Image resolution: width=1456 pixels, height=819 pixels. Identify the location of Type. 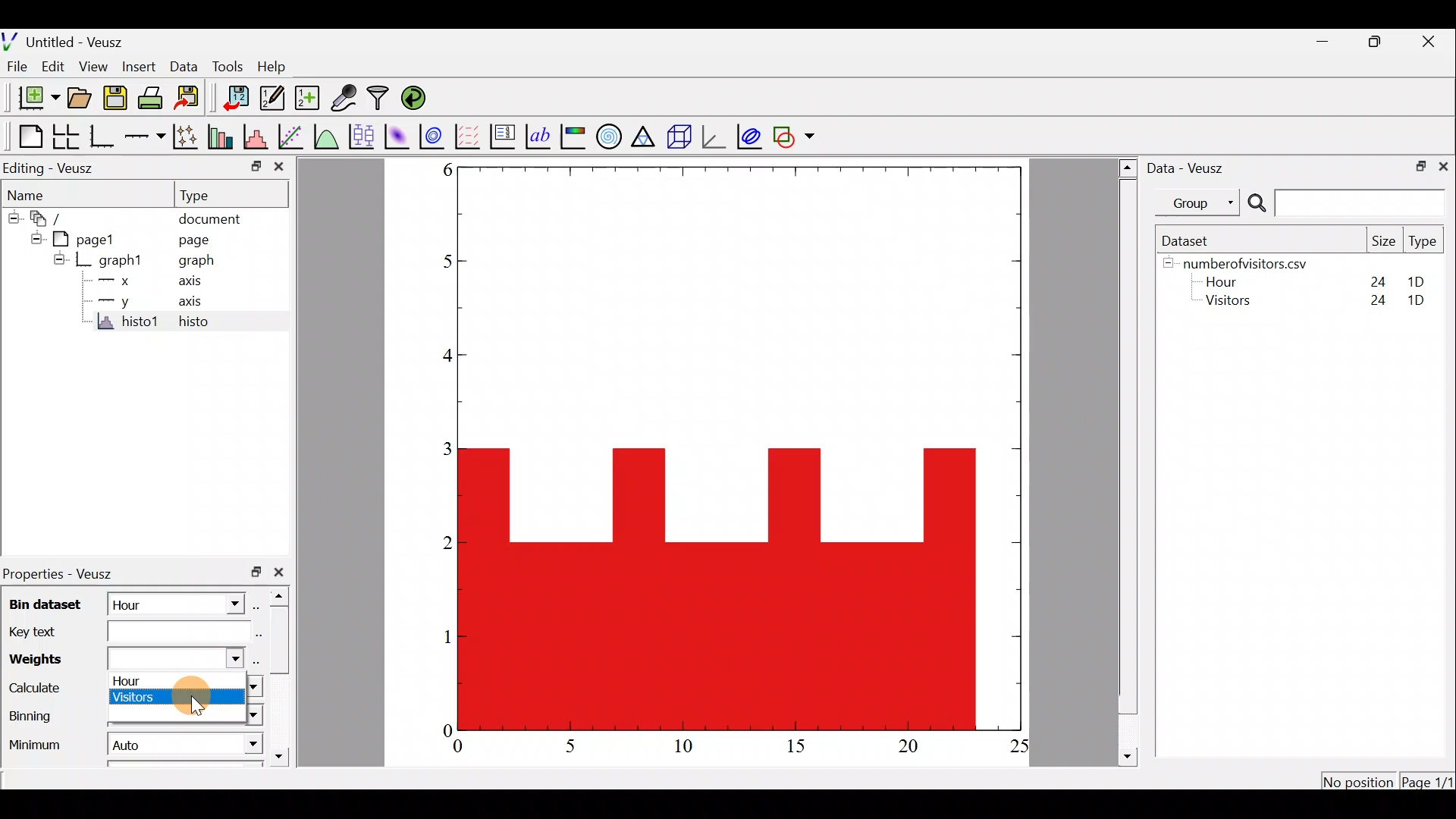
(1423, 240).